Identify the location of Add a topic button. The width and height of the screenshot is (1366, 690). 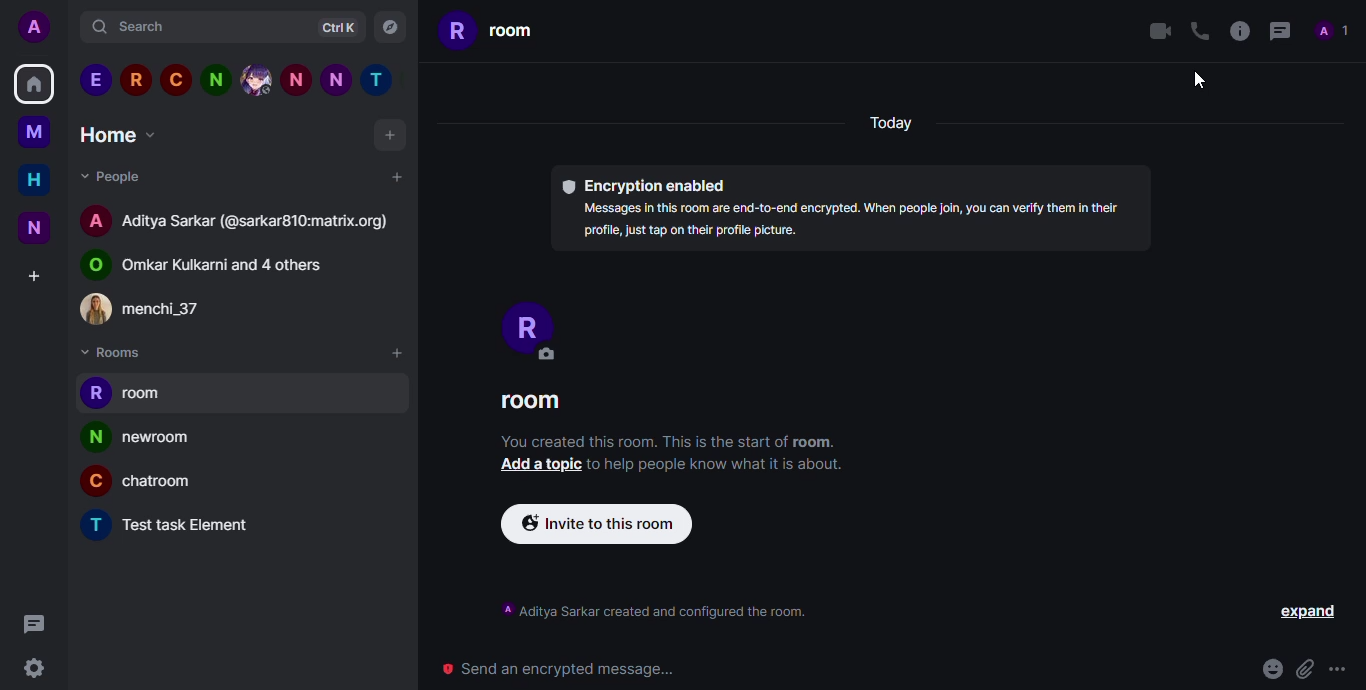
(530, 464).